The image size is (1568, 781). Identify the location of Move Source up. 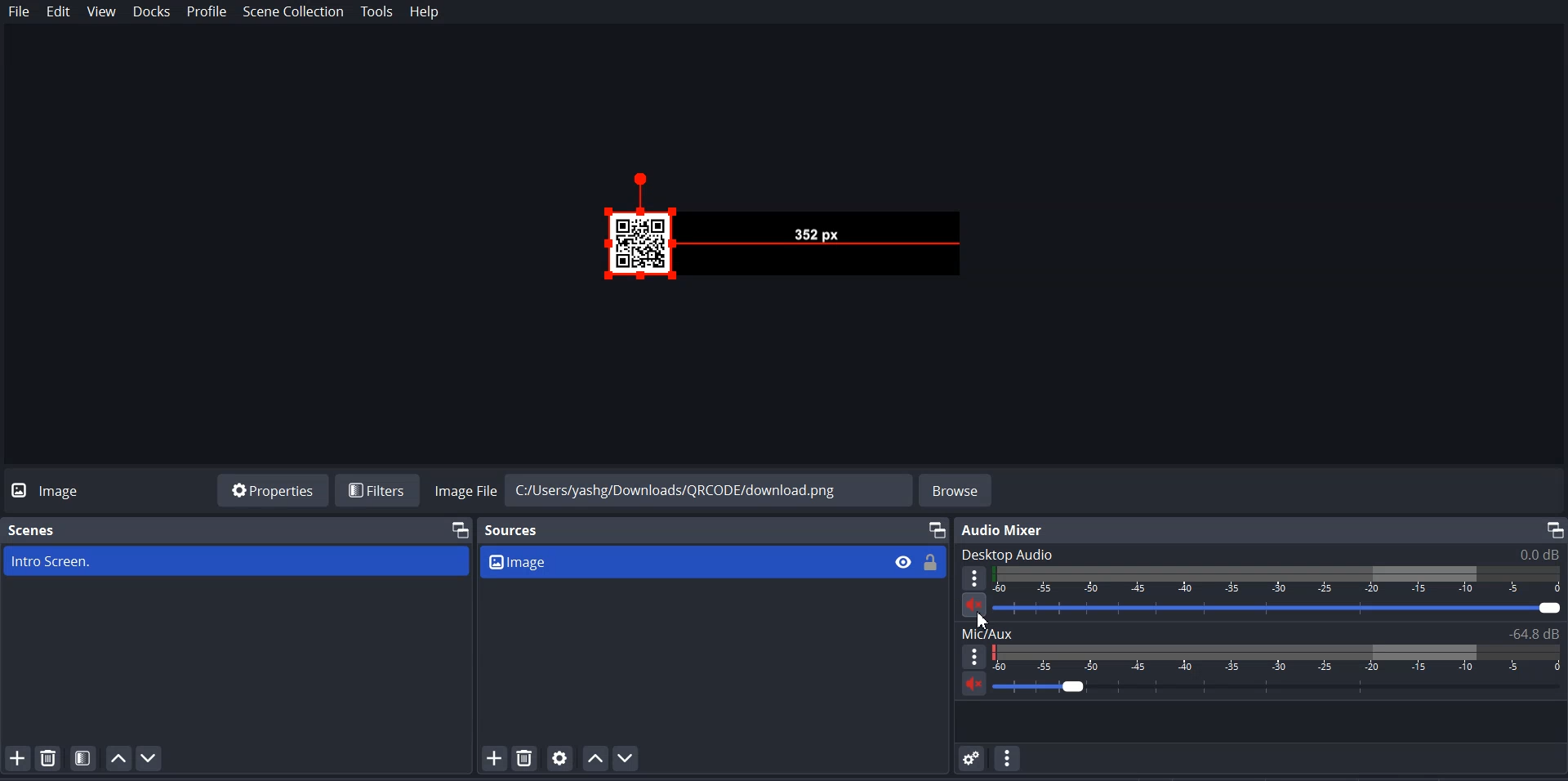
(594, 757).